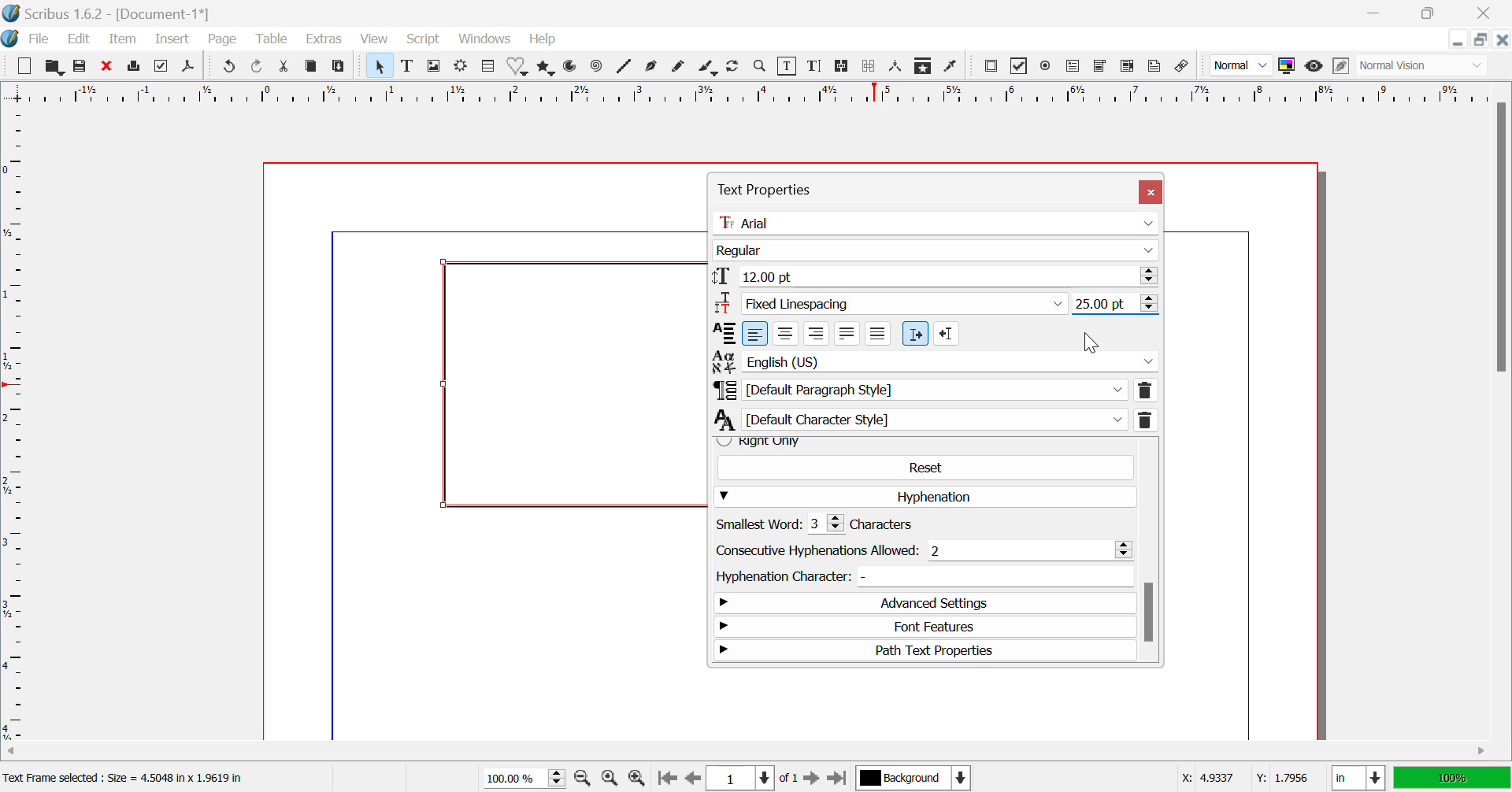 The image size is (1512, 792). Describe the element at coordinates (284, 66) in the screenshot. I see `Cut` at that location.